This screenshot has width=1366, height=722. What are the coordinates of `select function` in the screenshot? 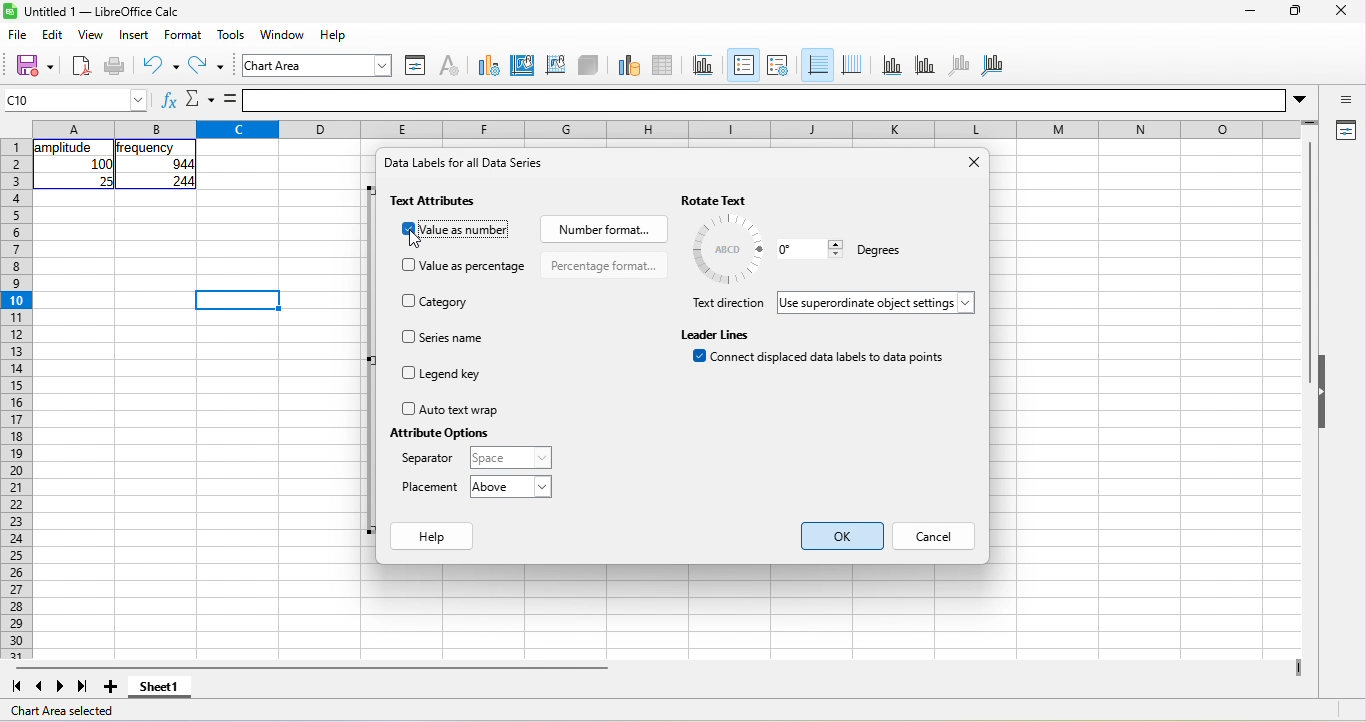 It's located at (199, 101).